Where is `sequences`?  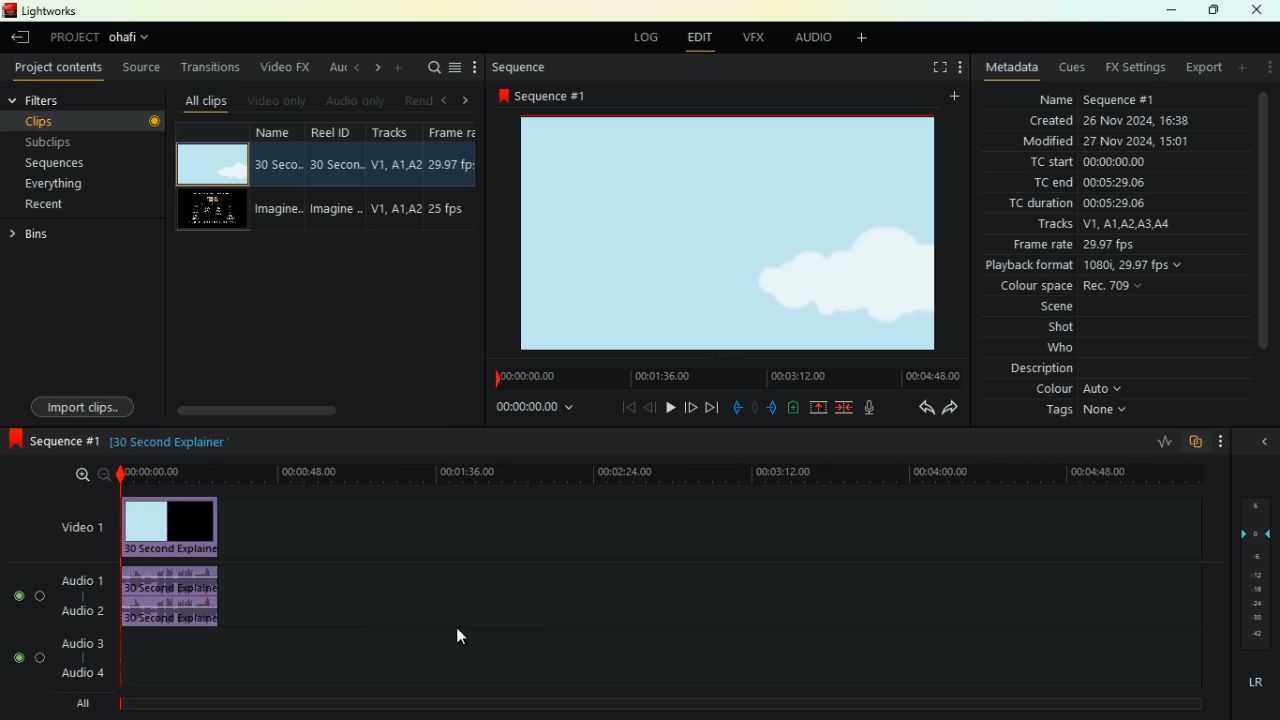 sequences is located at coordinates (63, 165).